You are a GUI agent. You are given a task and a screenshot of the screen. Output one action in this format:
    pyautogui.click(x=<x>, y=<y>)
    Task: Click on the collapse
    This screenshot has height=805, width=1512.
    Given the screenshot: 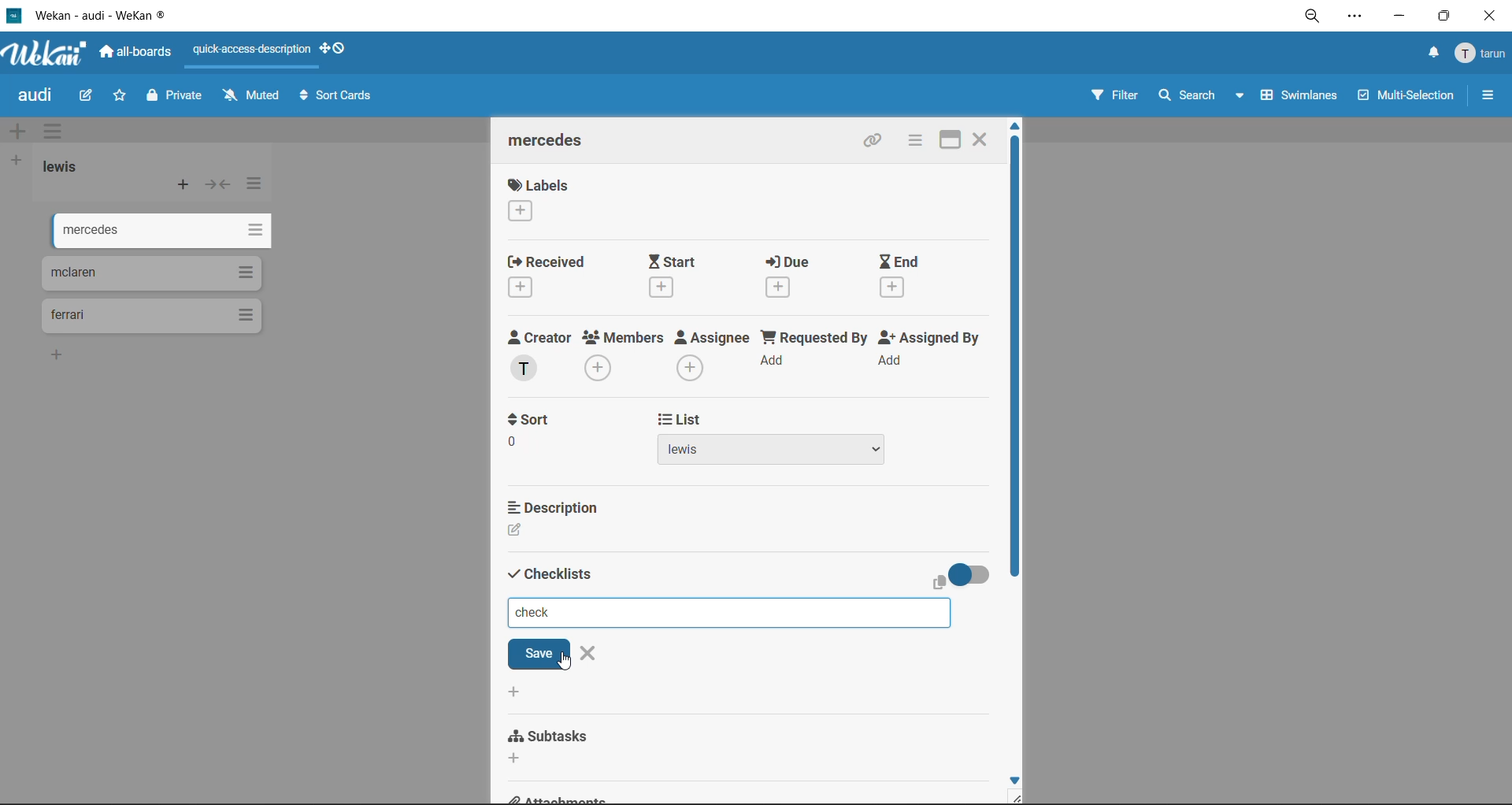 What is the action you would take?
    pyautogui.click(x=220, y=188)
    